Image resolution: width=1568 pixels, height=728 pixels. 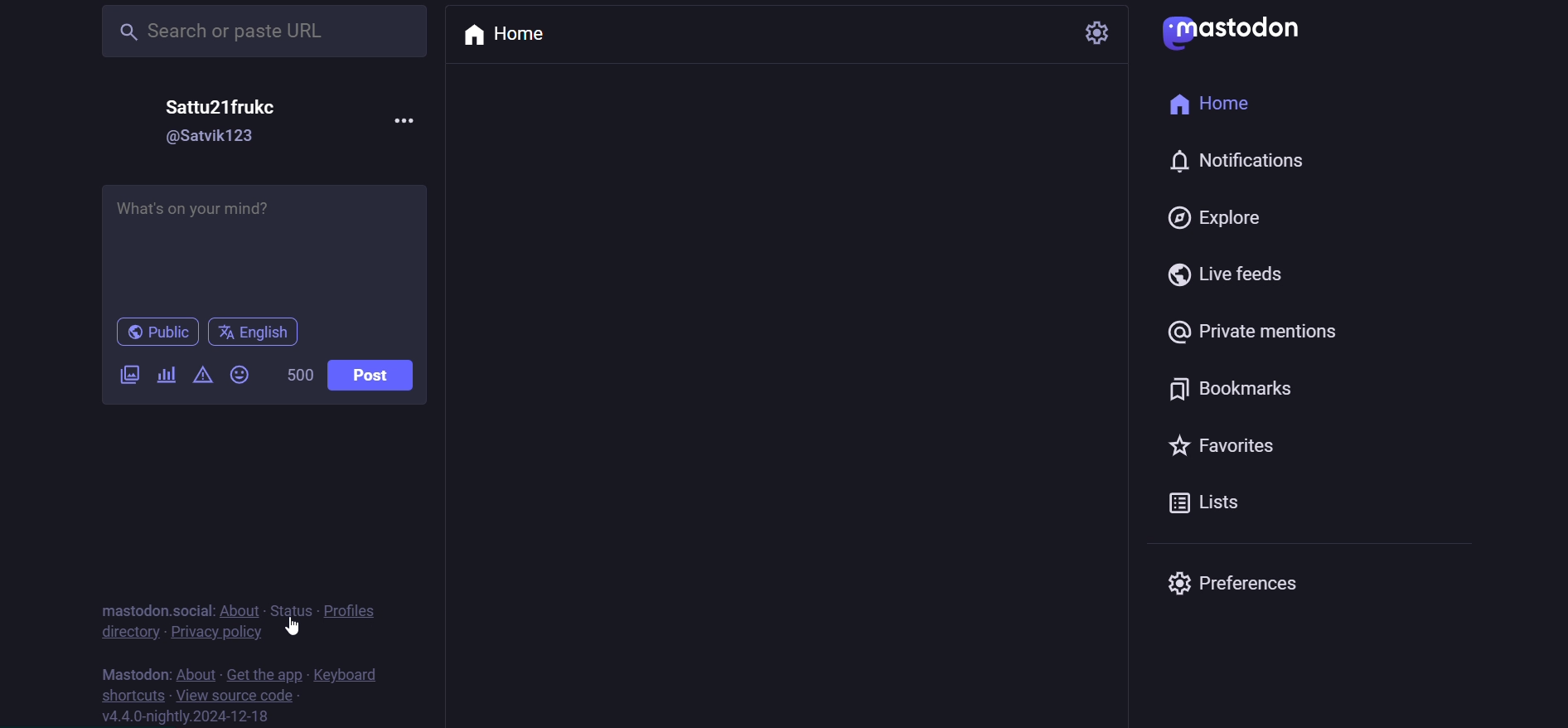 I want to click on directory, so click(x=126, y=636).